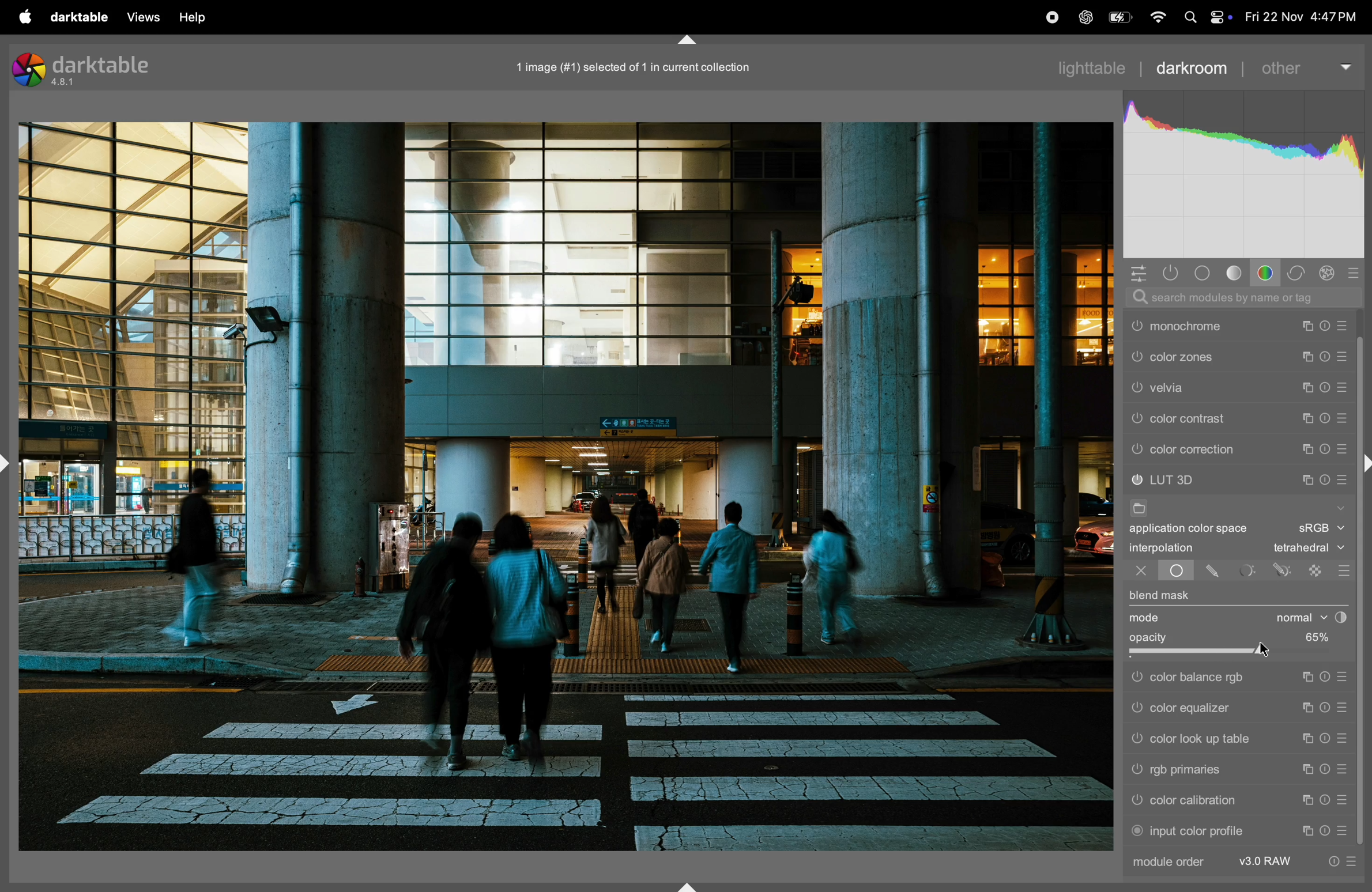 The image size is (1372, 892). What do you see at coordinates (1219, 478) in the screenshot?
I see `LUT 3d` at bounding box center [1219, 478].